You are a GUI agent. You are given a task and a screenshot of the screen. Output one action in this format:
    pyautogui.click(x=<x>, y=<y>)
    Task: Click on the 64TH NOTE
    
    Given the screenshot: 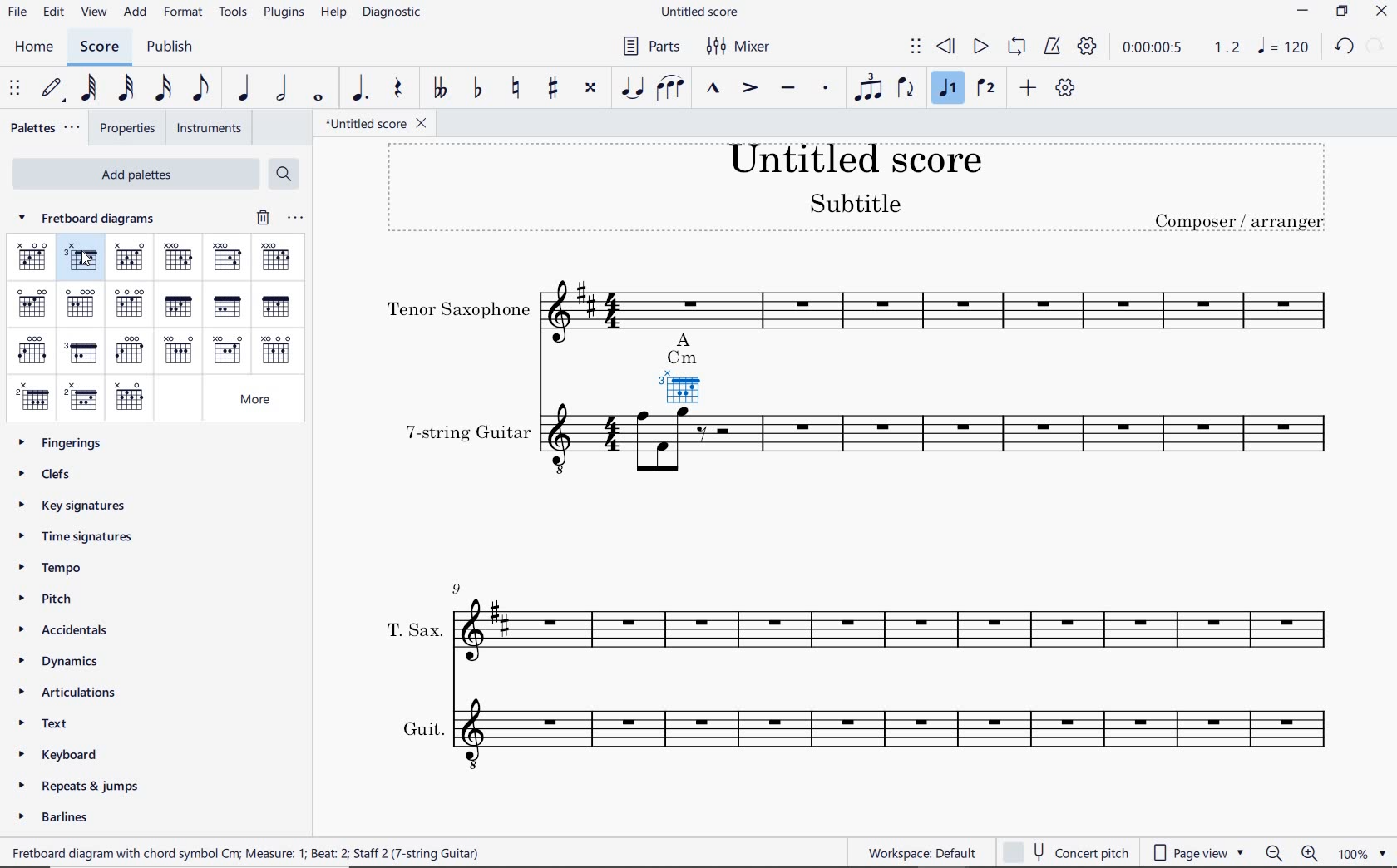 What is the action you would take?
    pyautogui.click(x=90, y=90)
    